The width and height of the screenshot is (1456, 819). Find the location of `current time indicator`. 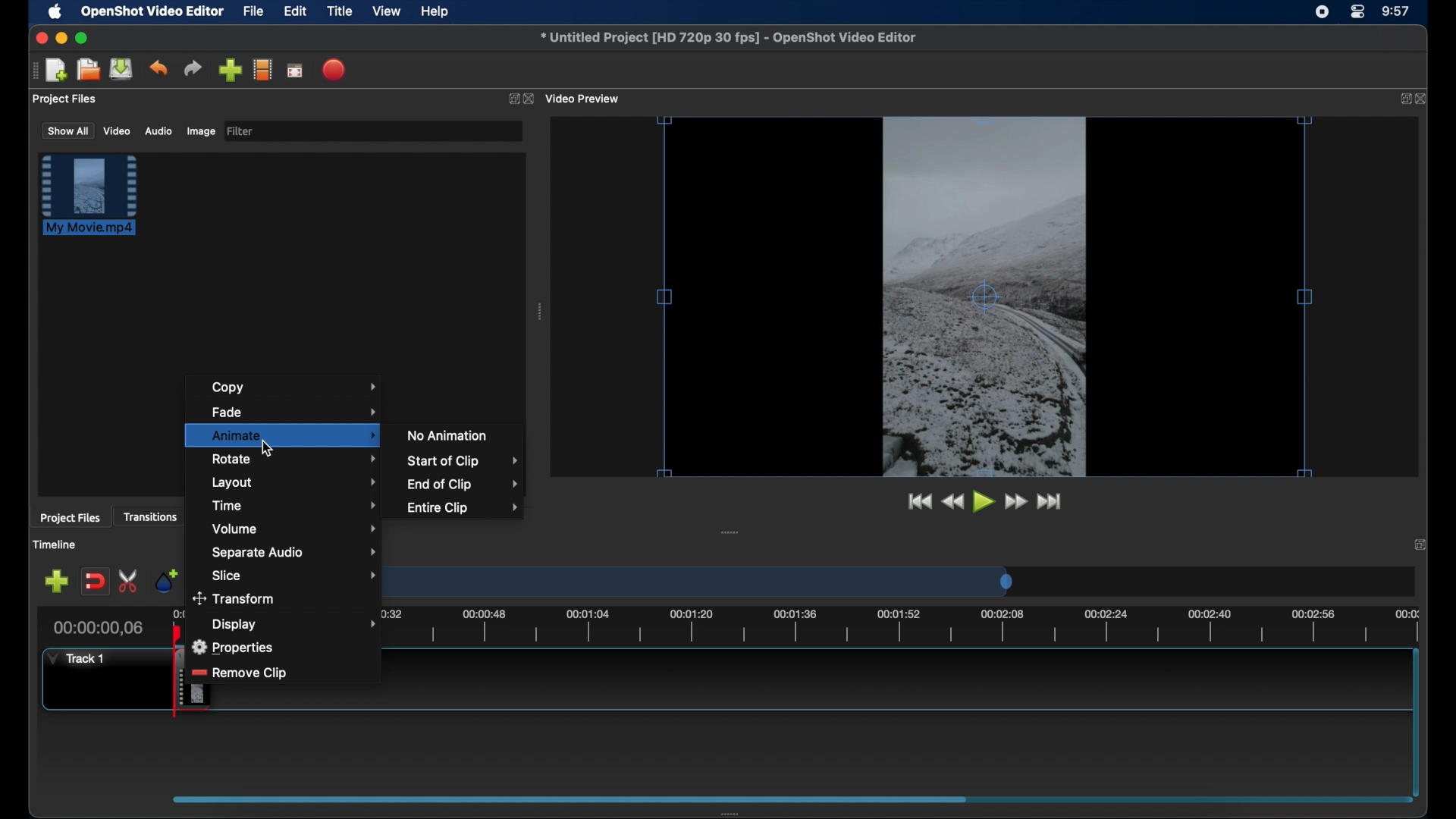

current time indicator is located at coordinates (99, 628).